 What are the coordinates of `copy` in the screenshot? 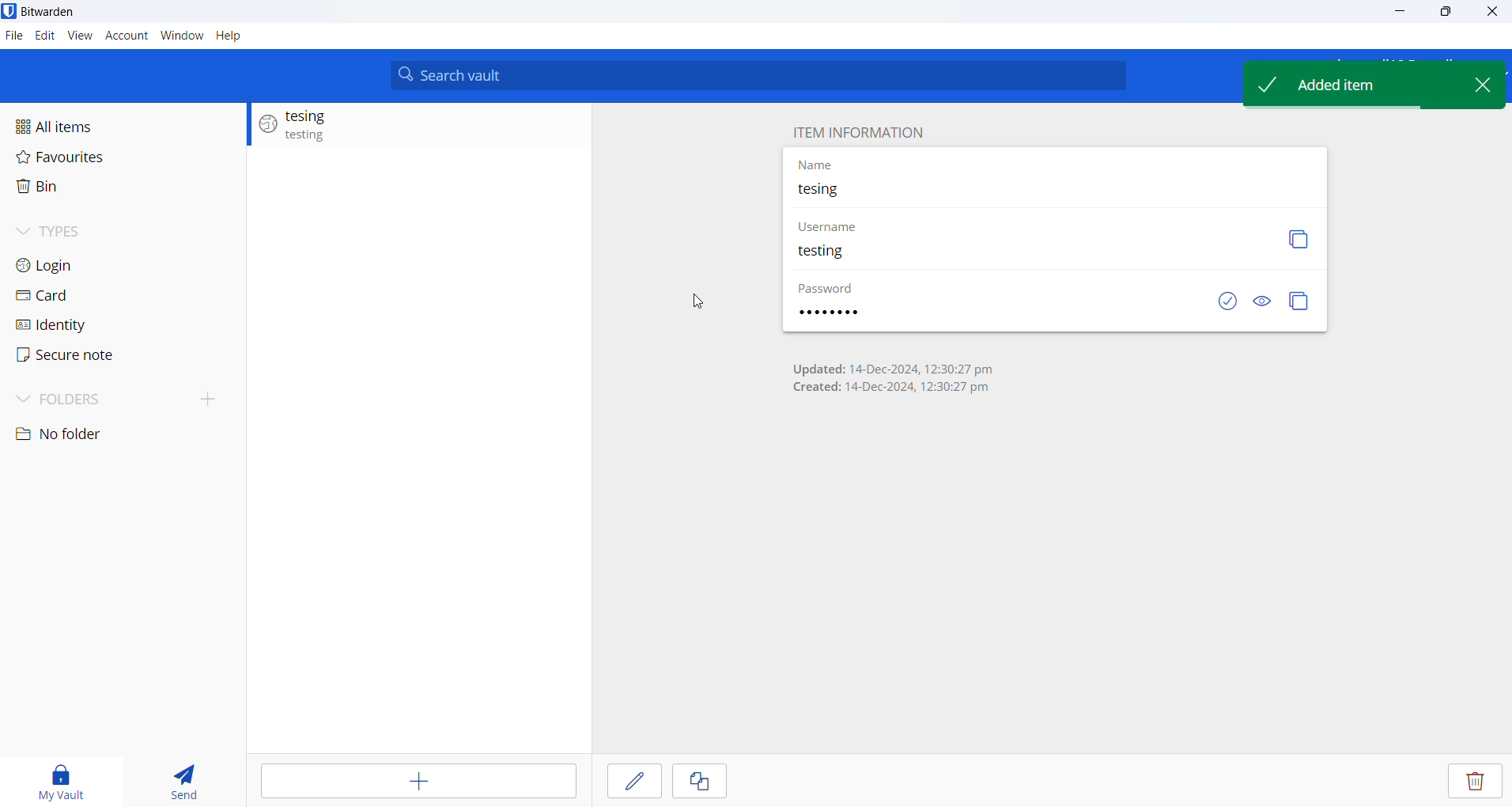 It's located at (699, 782).